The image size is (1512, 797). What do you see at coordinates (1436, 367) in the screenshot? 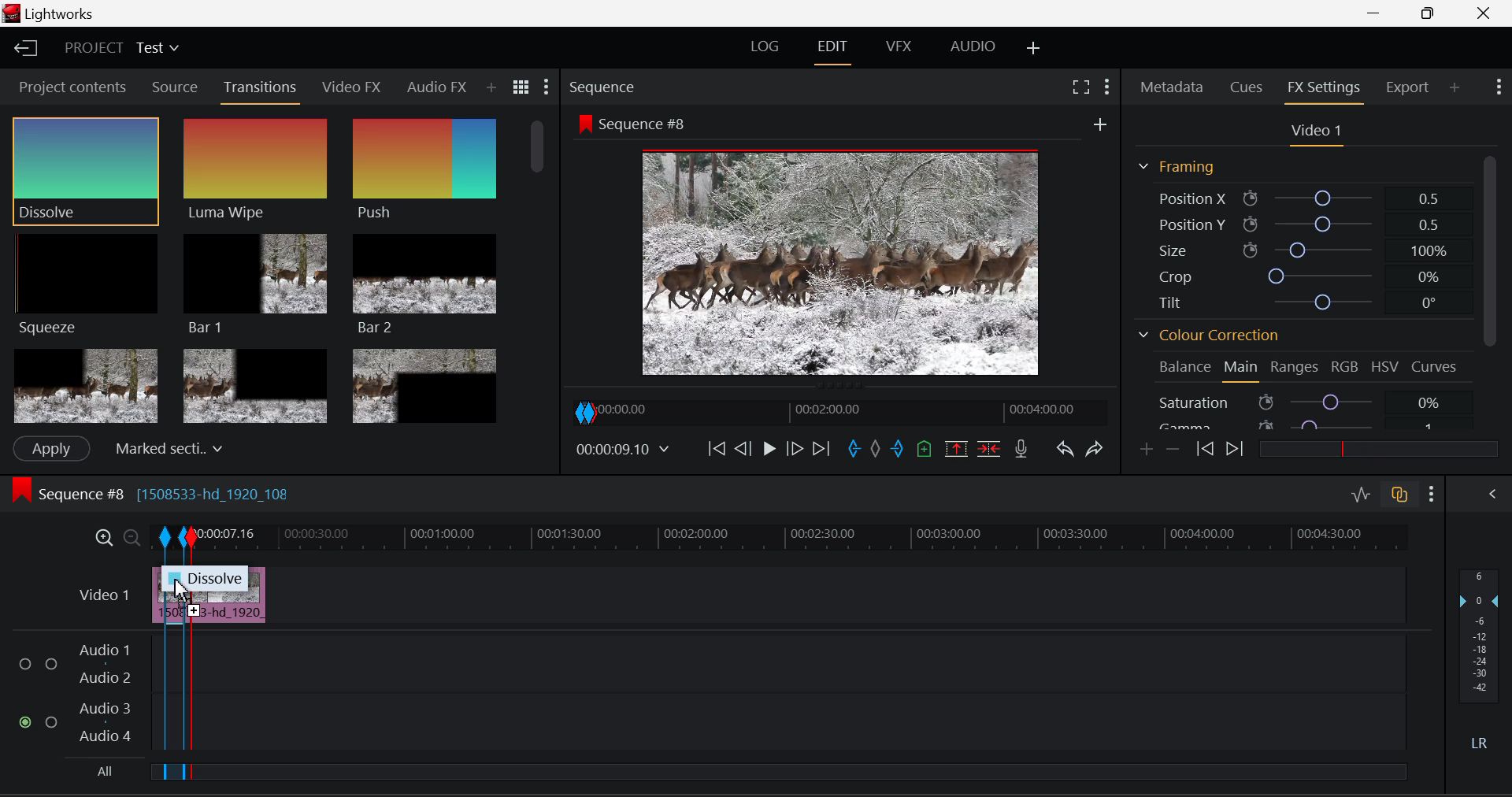
I see `Curves` at bounding box center [1436, 367].